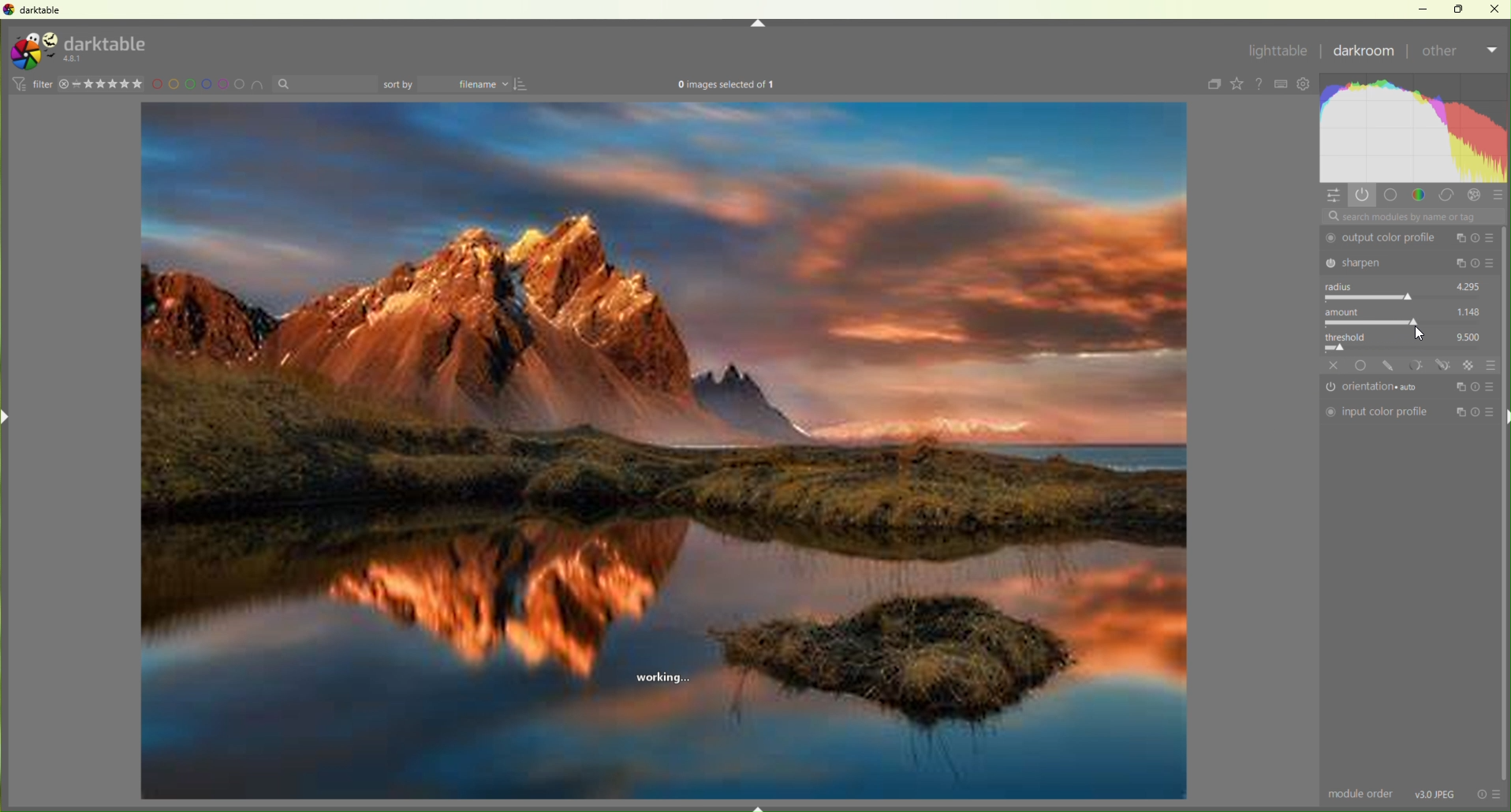 The height and width of the screenshot is (812, 1511). What do you see at coordinates (1237, 84) in the screenshot?
I see `Favourites` at bounding box center [1237, 84].